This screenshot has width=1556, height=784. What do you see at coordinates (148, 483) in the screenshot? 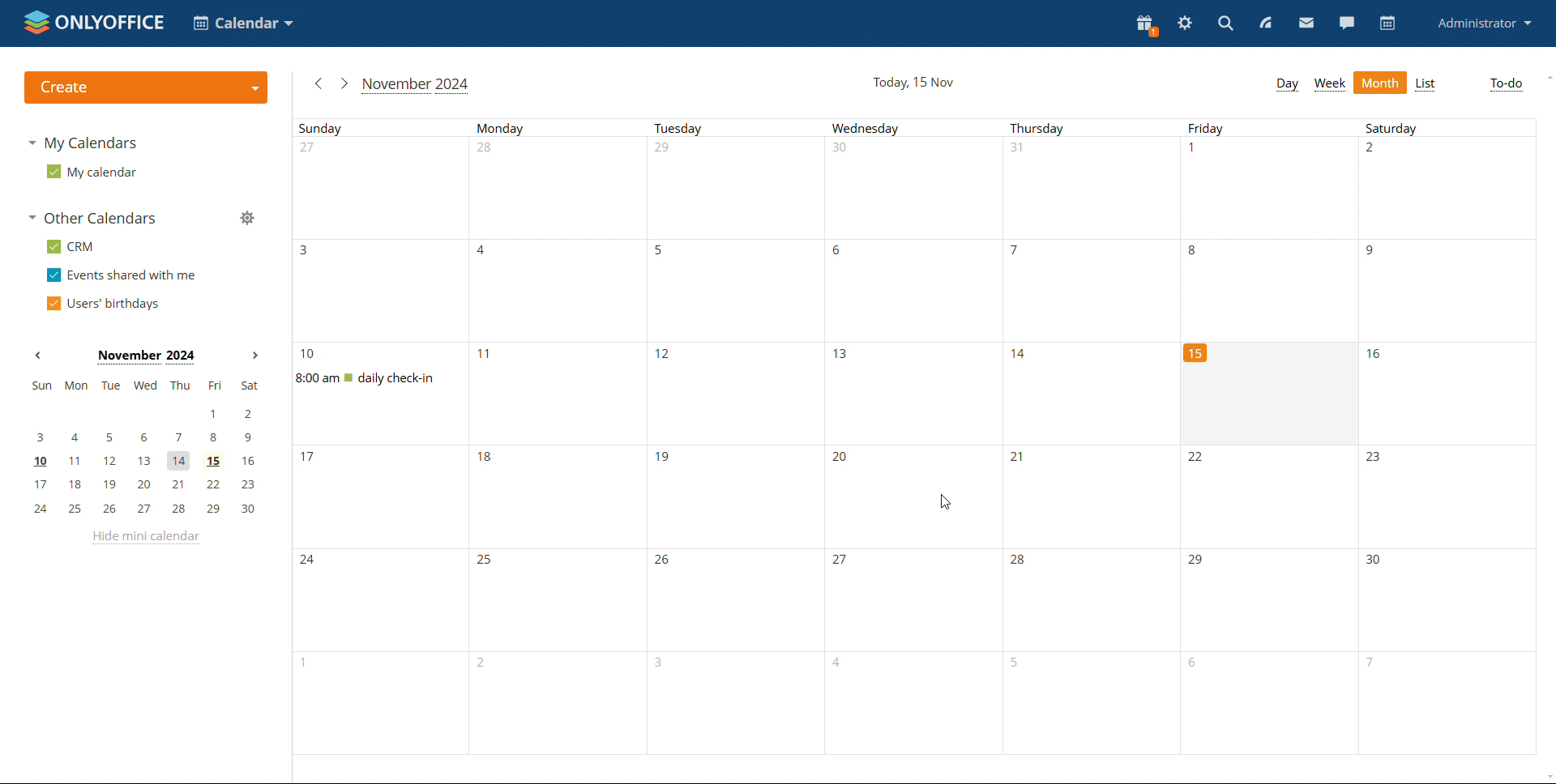
I see `17, 18, 19, 20, 21, 22, 23` at bounding box center [148, 483].